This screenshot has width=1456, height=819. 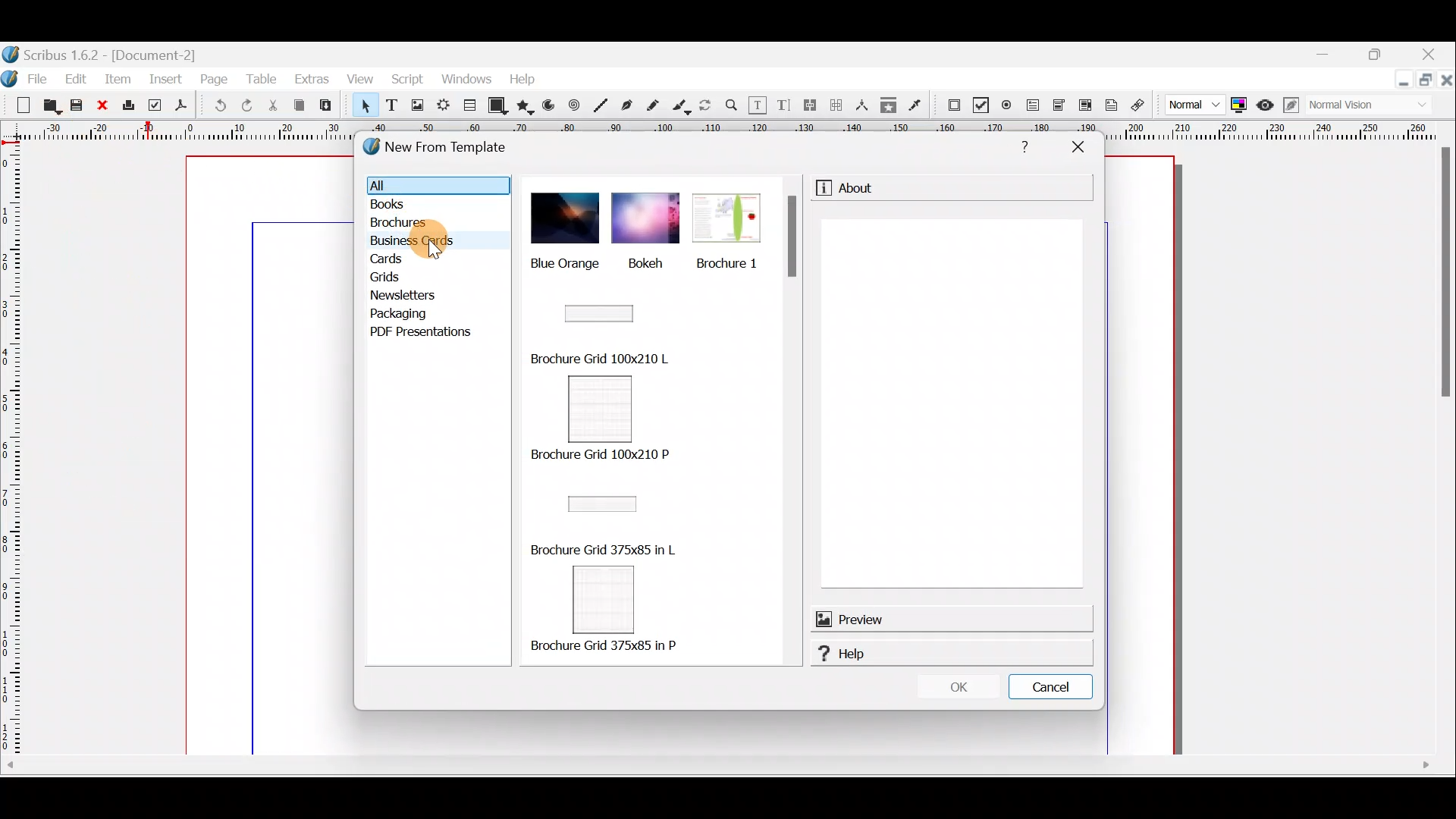 What do you see at coordinates (759, 106) in the screenshot?
I see `Edit contents of frame` at bounding box center [759, 106].